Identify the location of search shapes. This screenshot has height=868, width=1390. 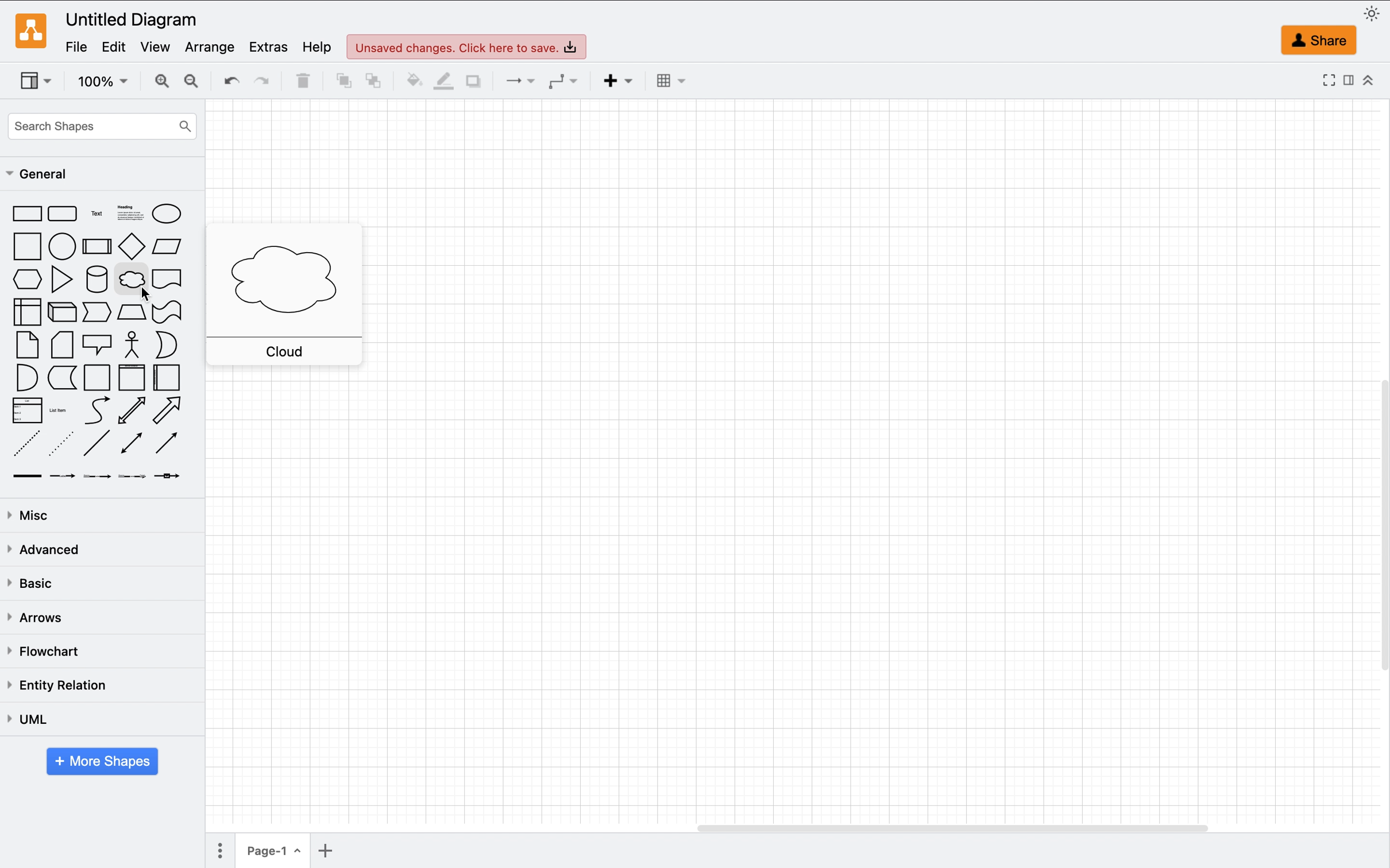
(102, 123).